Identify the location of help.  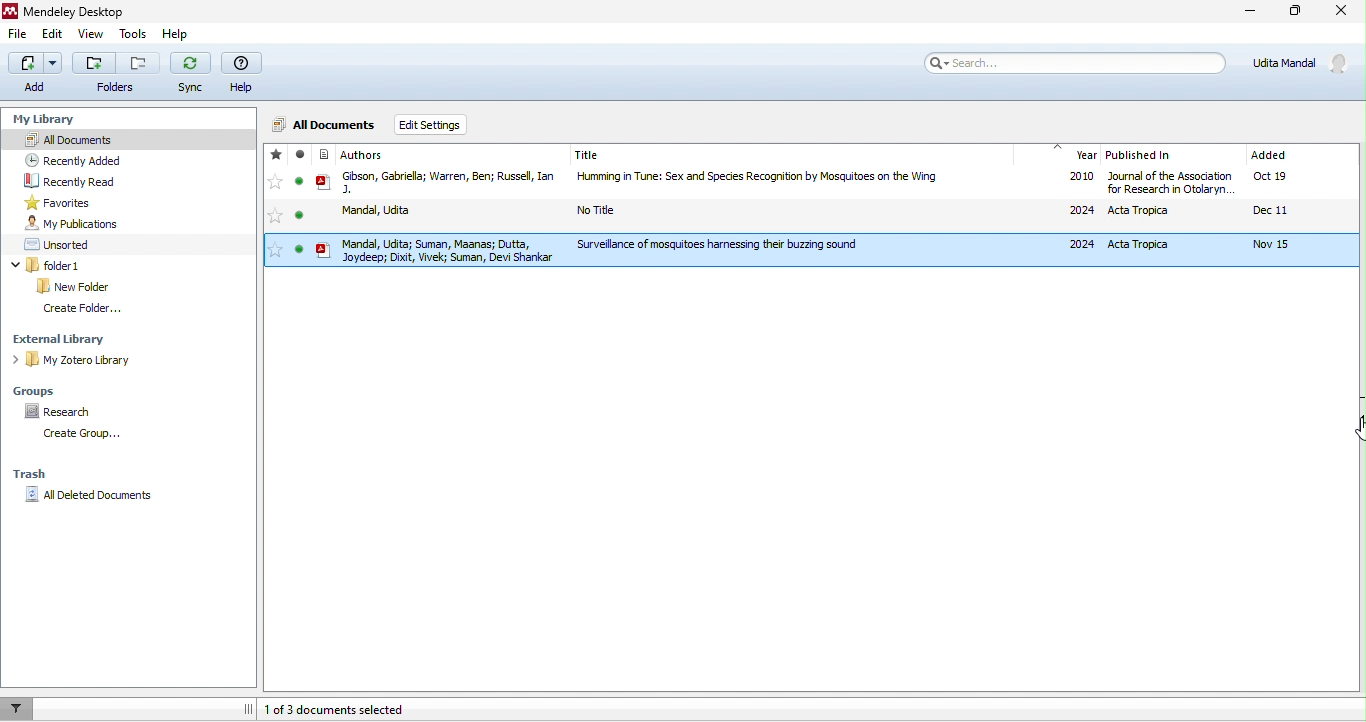
(245, 71).